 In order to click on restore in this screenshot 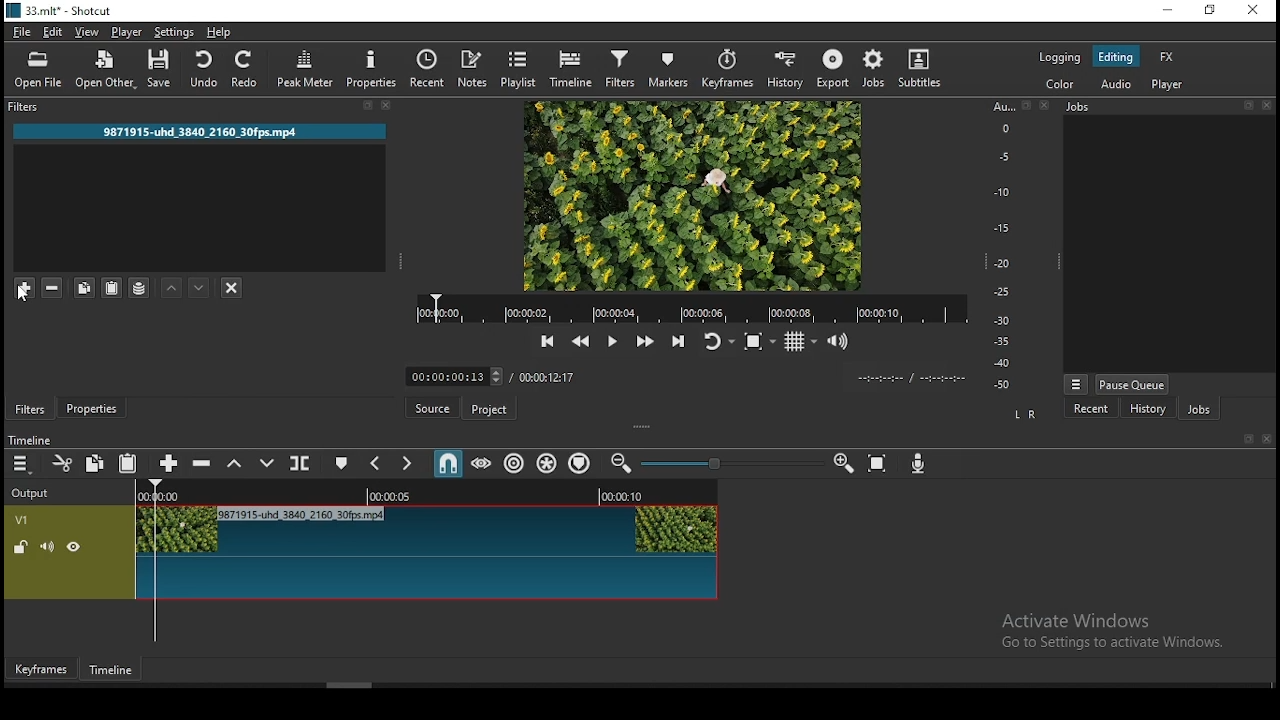, I will do `click(1206, 13)`.